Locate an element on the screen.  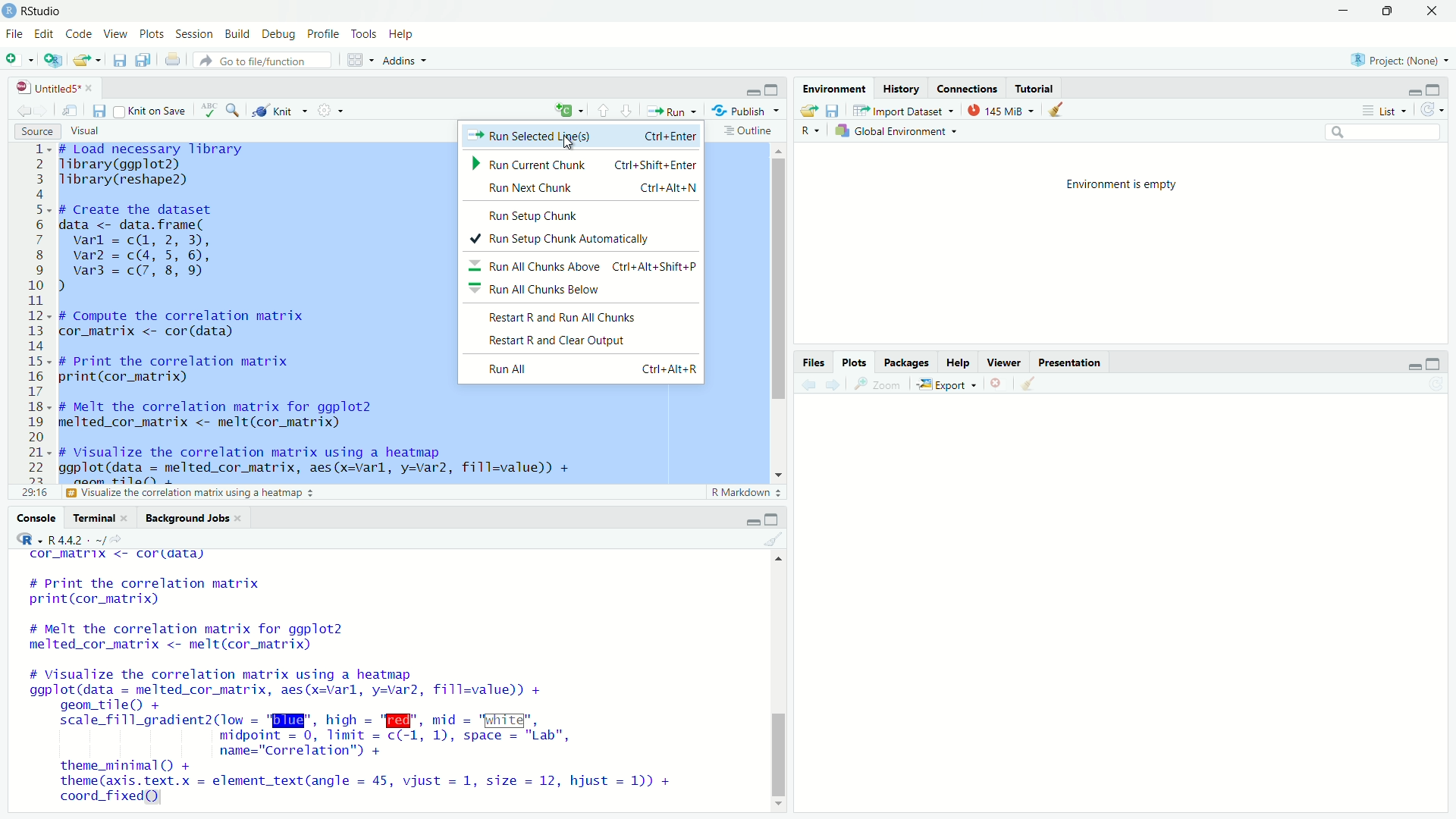
addins is located at coordinates (405, 60).